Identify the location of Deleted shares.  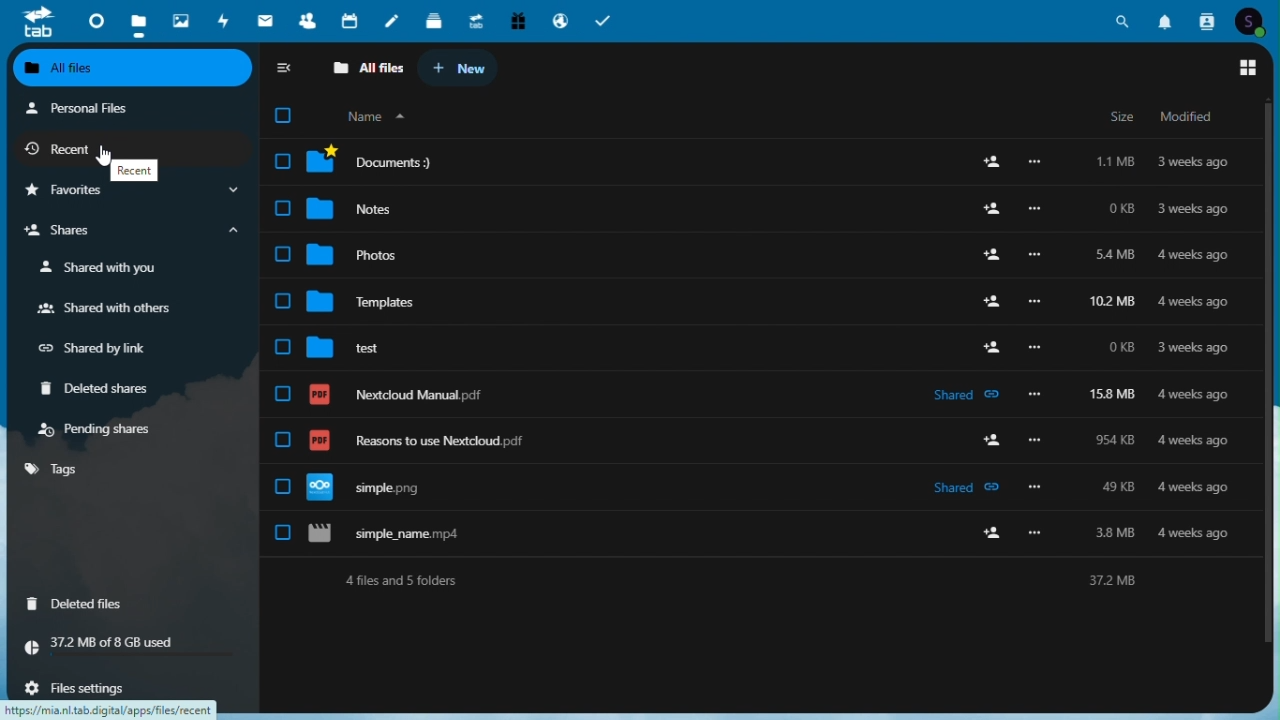
(93, 389).